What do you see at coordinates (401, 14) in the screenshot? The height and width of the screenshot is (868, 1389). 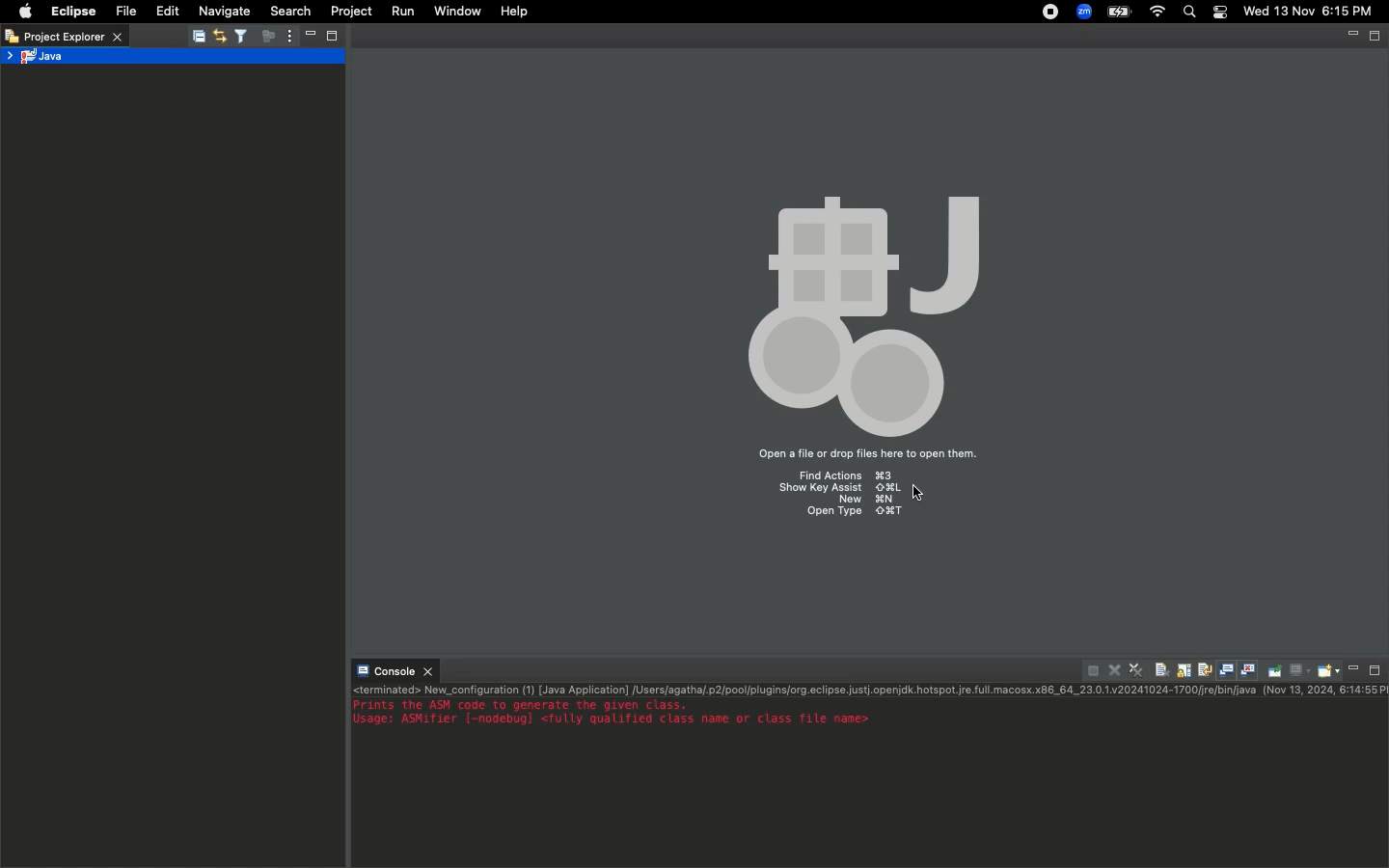 I see `Run` at bounding box center [401, 14].